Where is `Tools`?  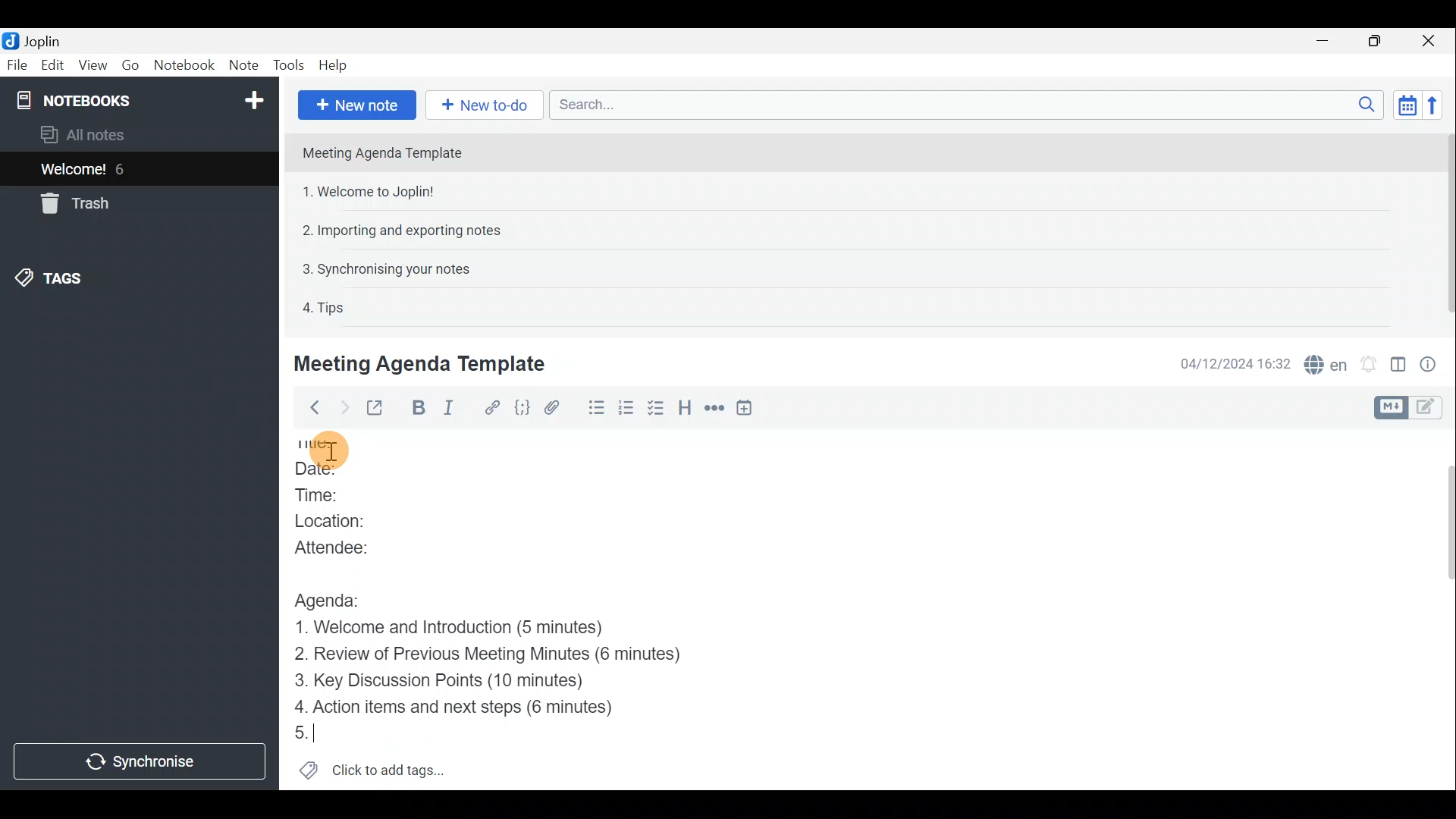 Tools is located at coordinates (286, 61).